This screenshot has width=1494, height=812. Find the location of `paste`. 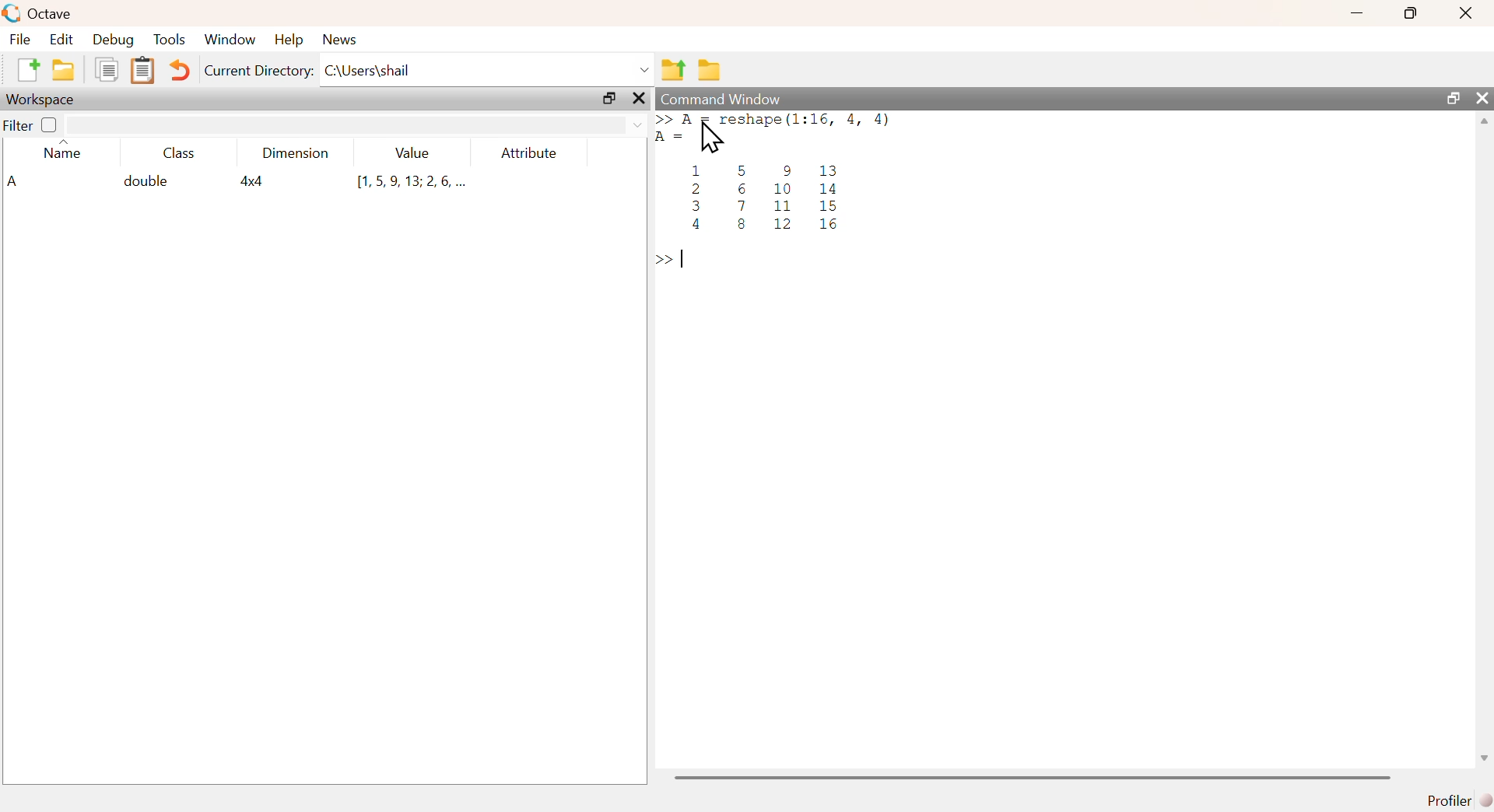

paste is located at coordinates (142, 72).